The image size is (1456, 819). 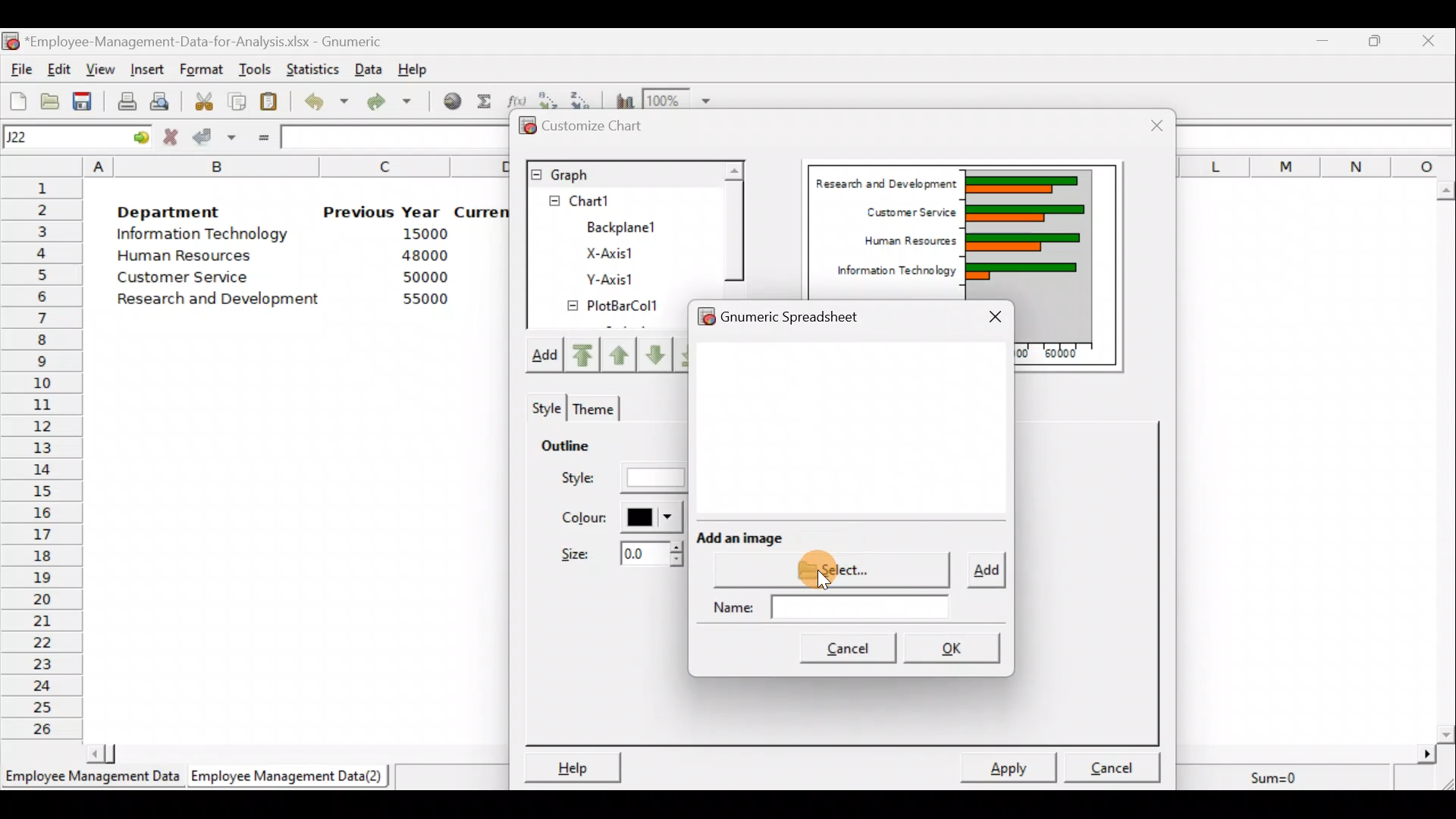 What do you see at coordinates (604, 201) in the screenshot?
I see `Chart1` at bounding box center [604, 201].